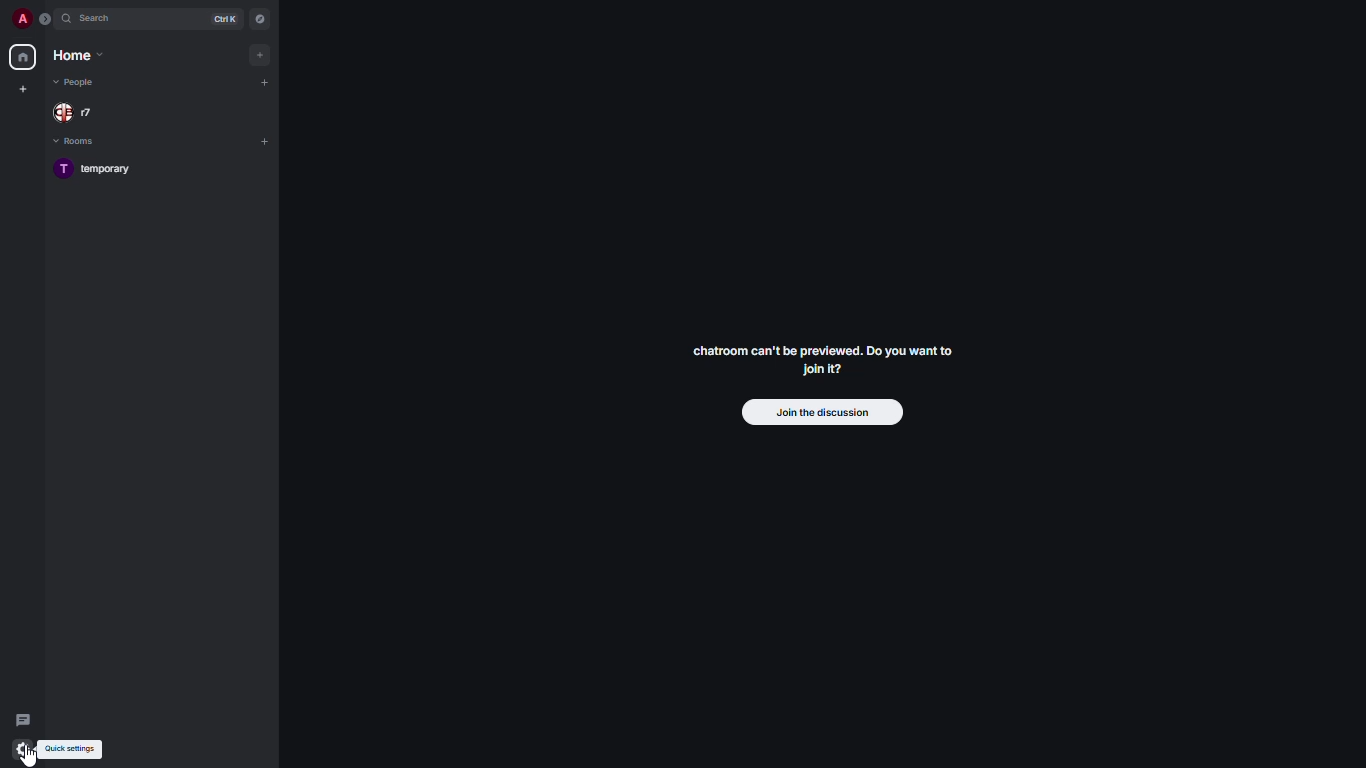  I want to click on add, so click(264, 141).